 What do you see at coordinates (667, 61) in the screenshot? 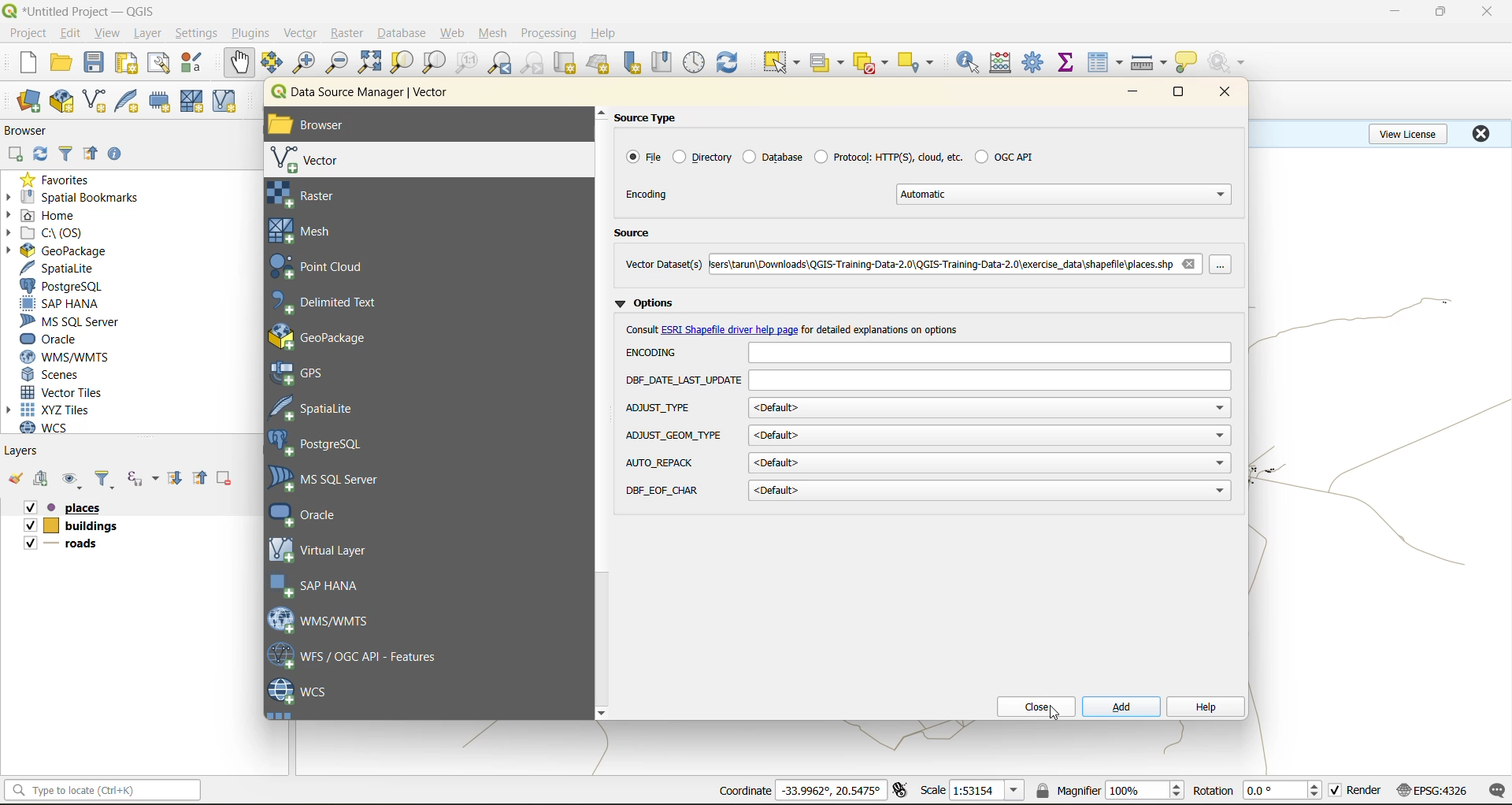
I see `show spatial bookmark` at bounding box center [667, 61].